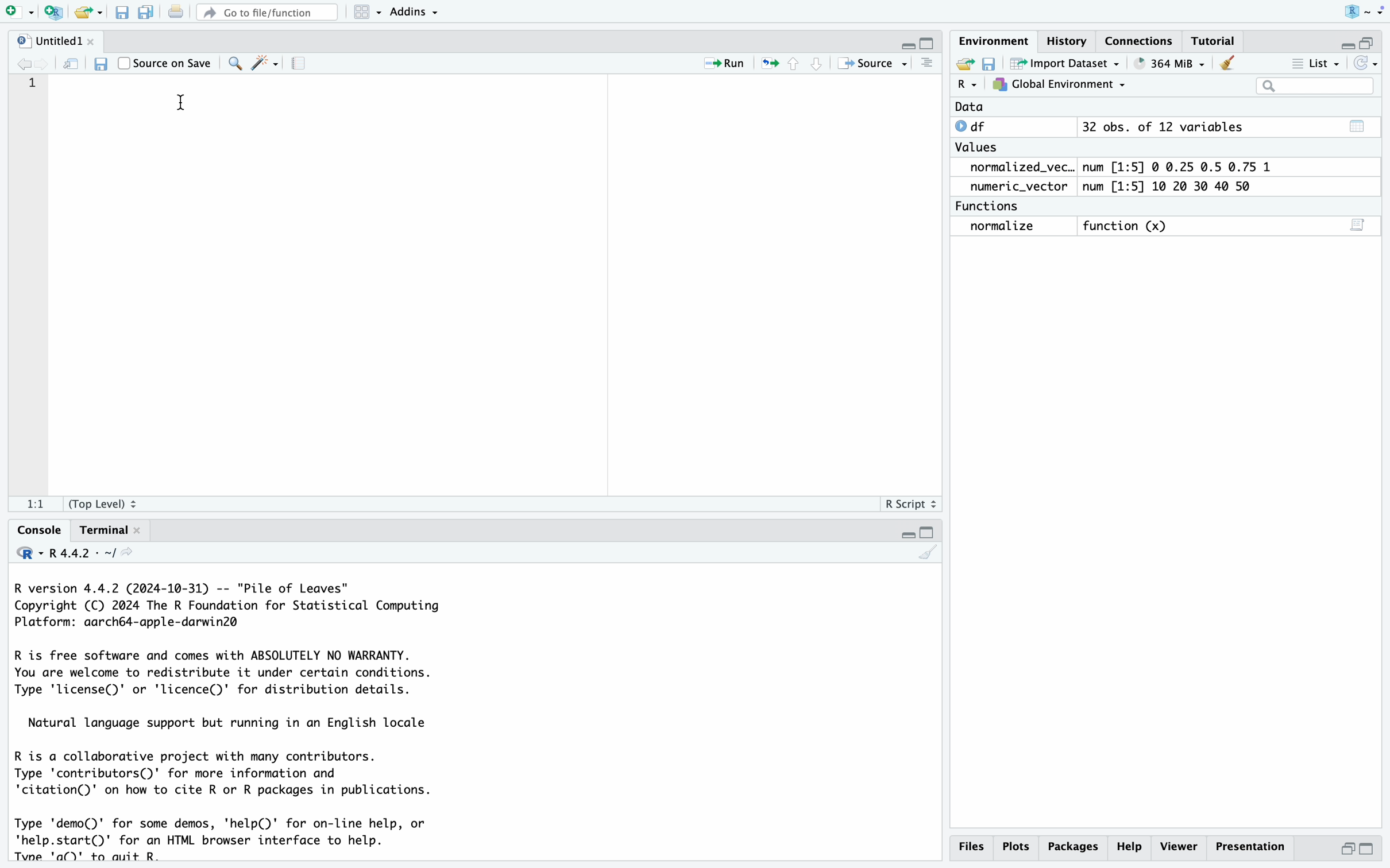  Describe the element at coordinates (990, 206) in the screenshot. I see `Functions` at that location.